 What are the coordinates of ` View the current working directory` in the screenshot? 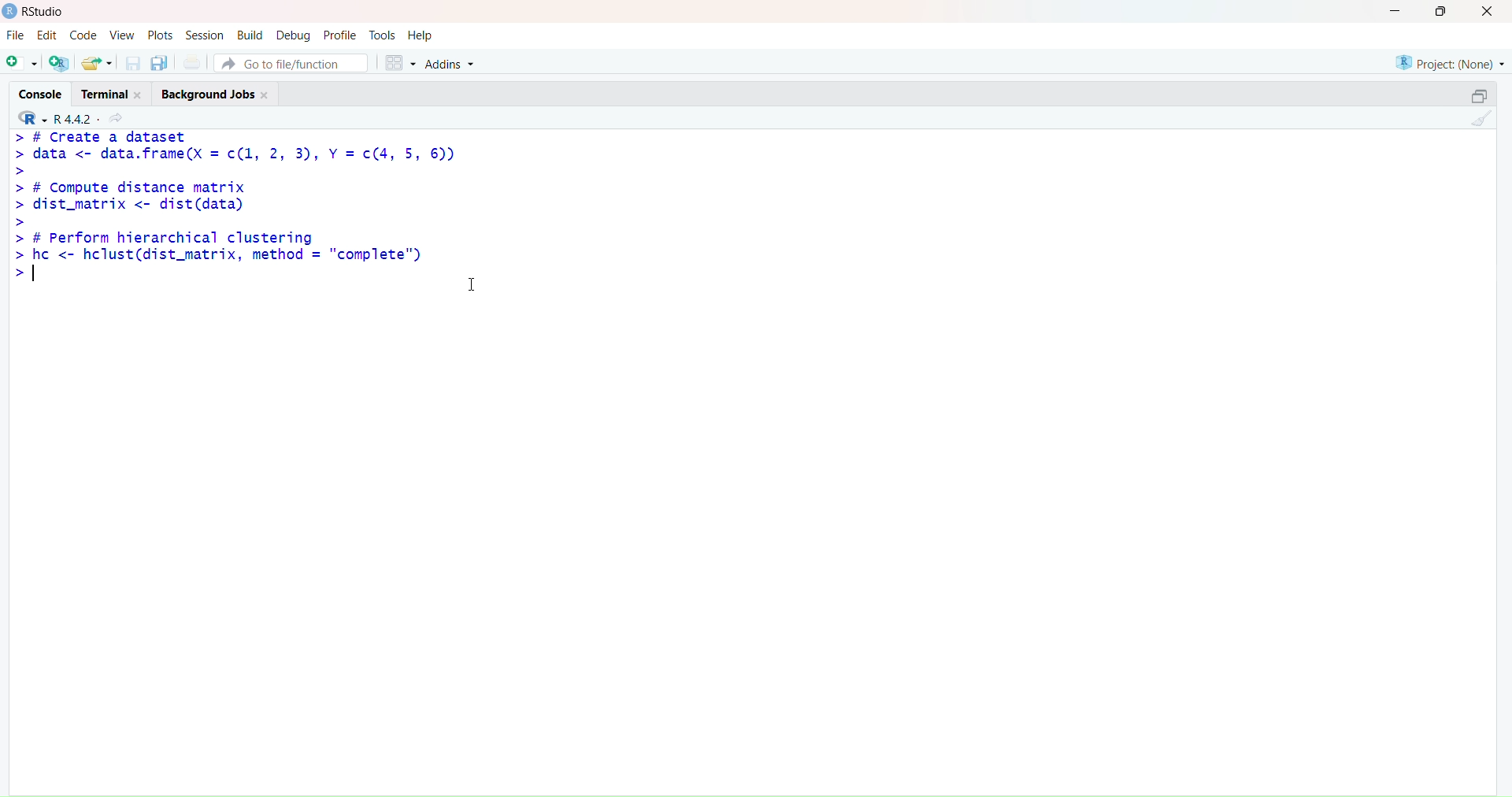 It's located at (120, 117).